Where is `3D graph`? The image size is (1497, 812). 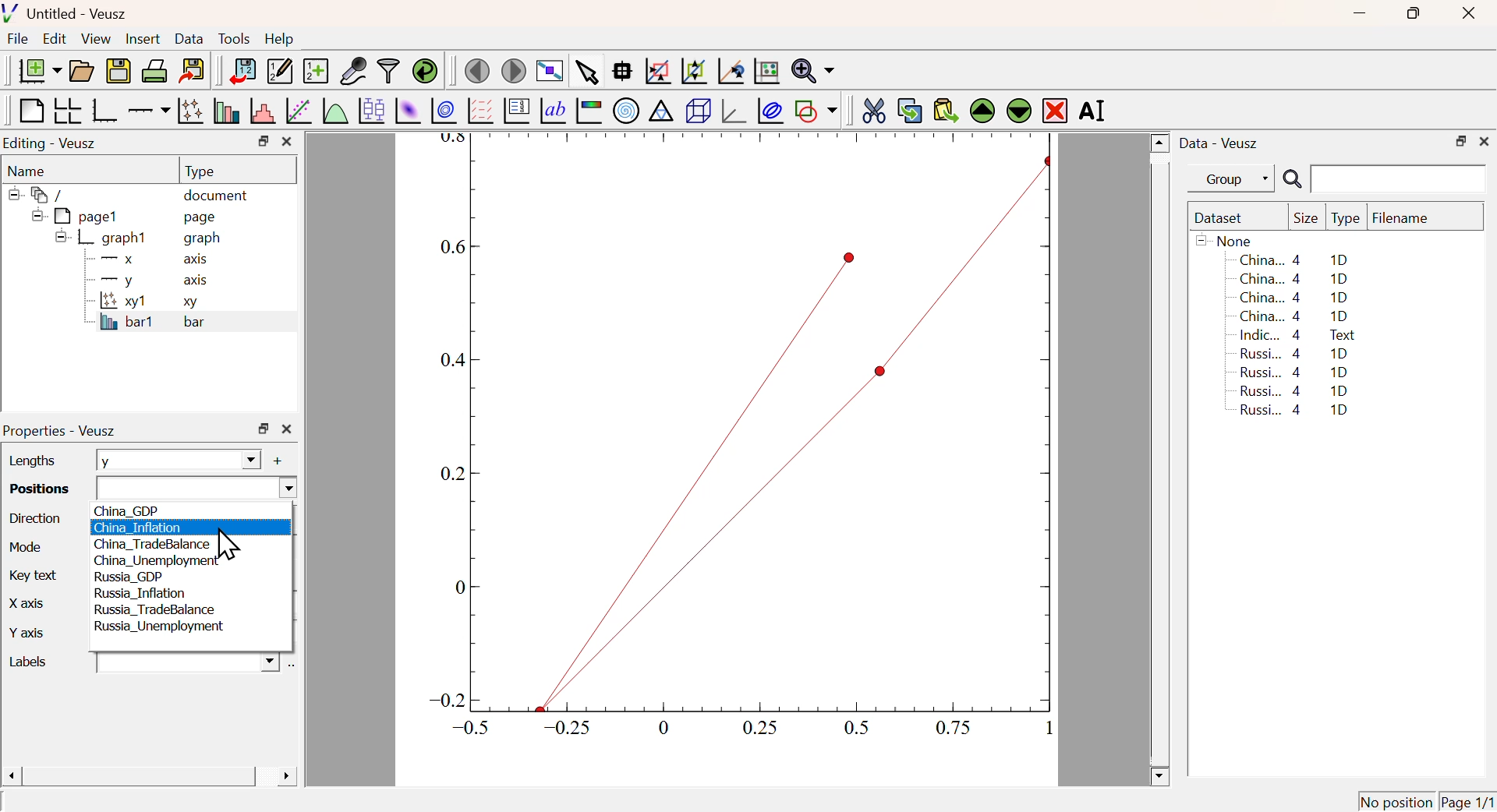 3D graph is located at coordinates (735, 112).